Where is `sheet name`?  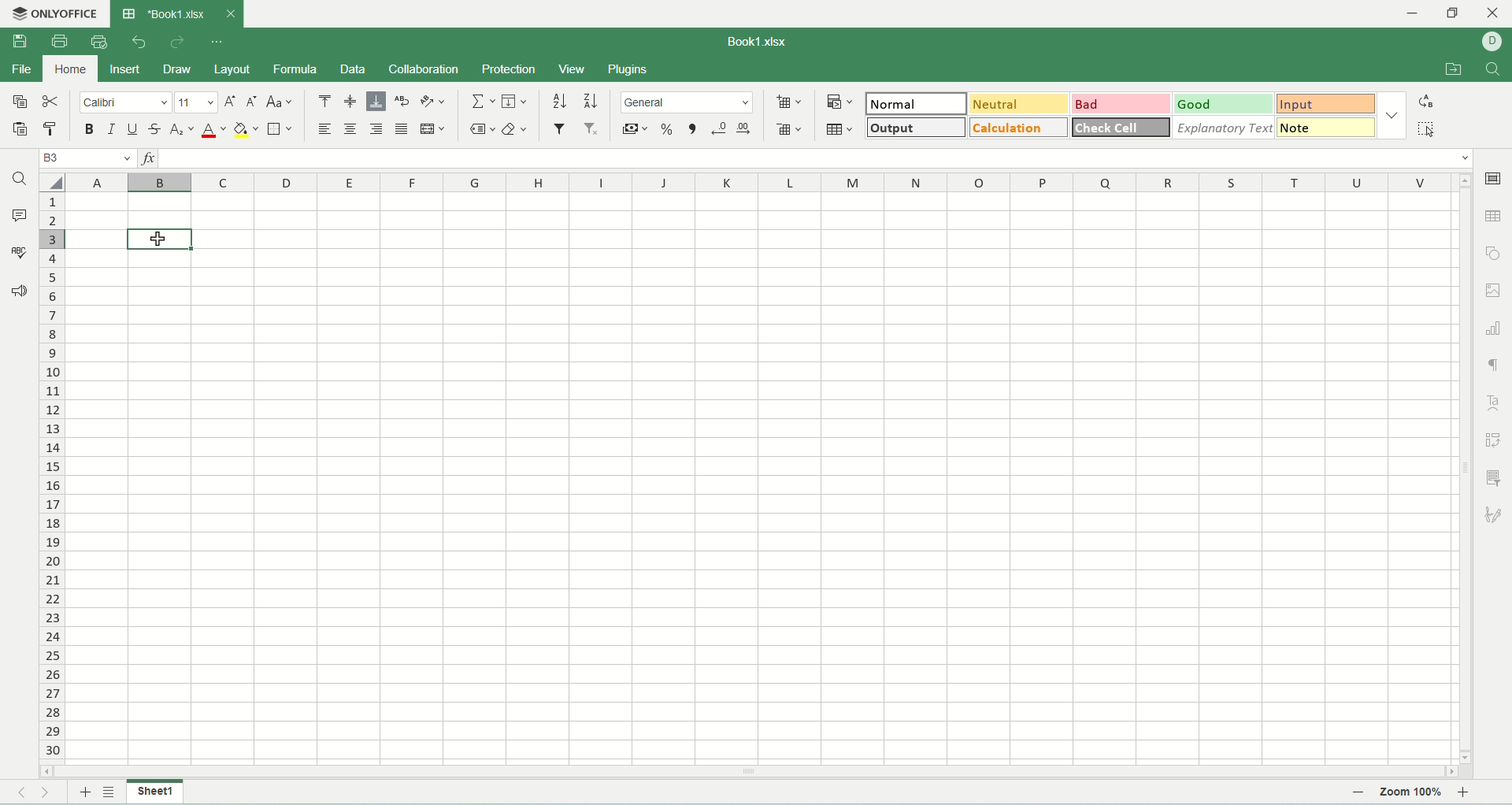 sheet name is located at coordinates (155, 792).